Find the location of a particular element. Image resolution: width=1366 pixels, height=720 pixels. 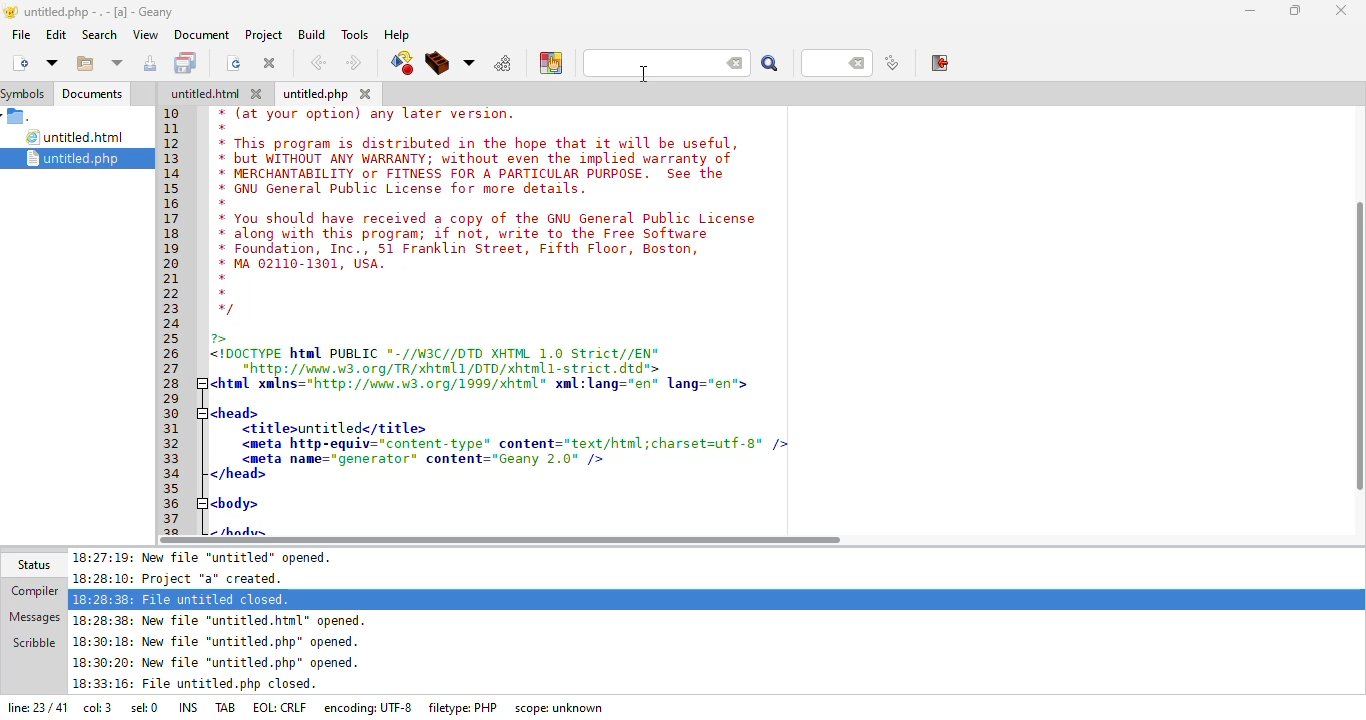

15 is located at coordinates (178, 190).